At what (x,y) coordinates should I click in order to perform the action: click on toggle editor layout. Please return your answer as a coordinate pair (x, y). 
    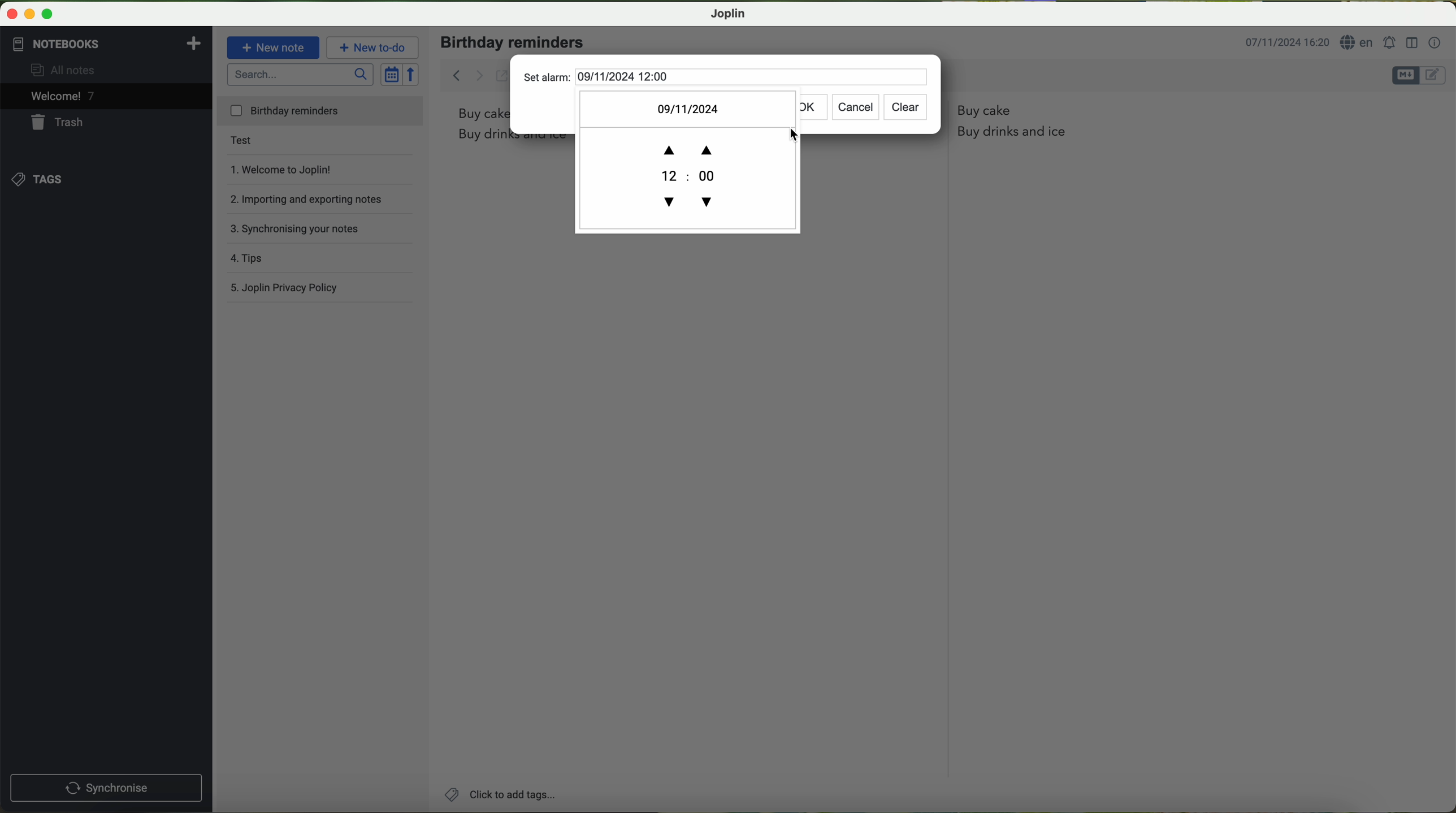
    Looking at the image, I should click on (1409, 41).